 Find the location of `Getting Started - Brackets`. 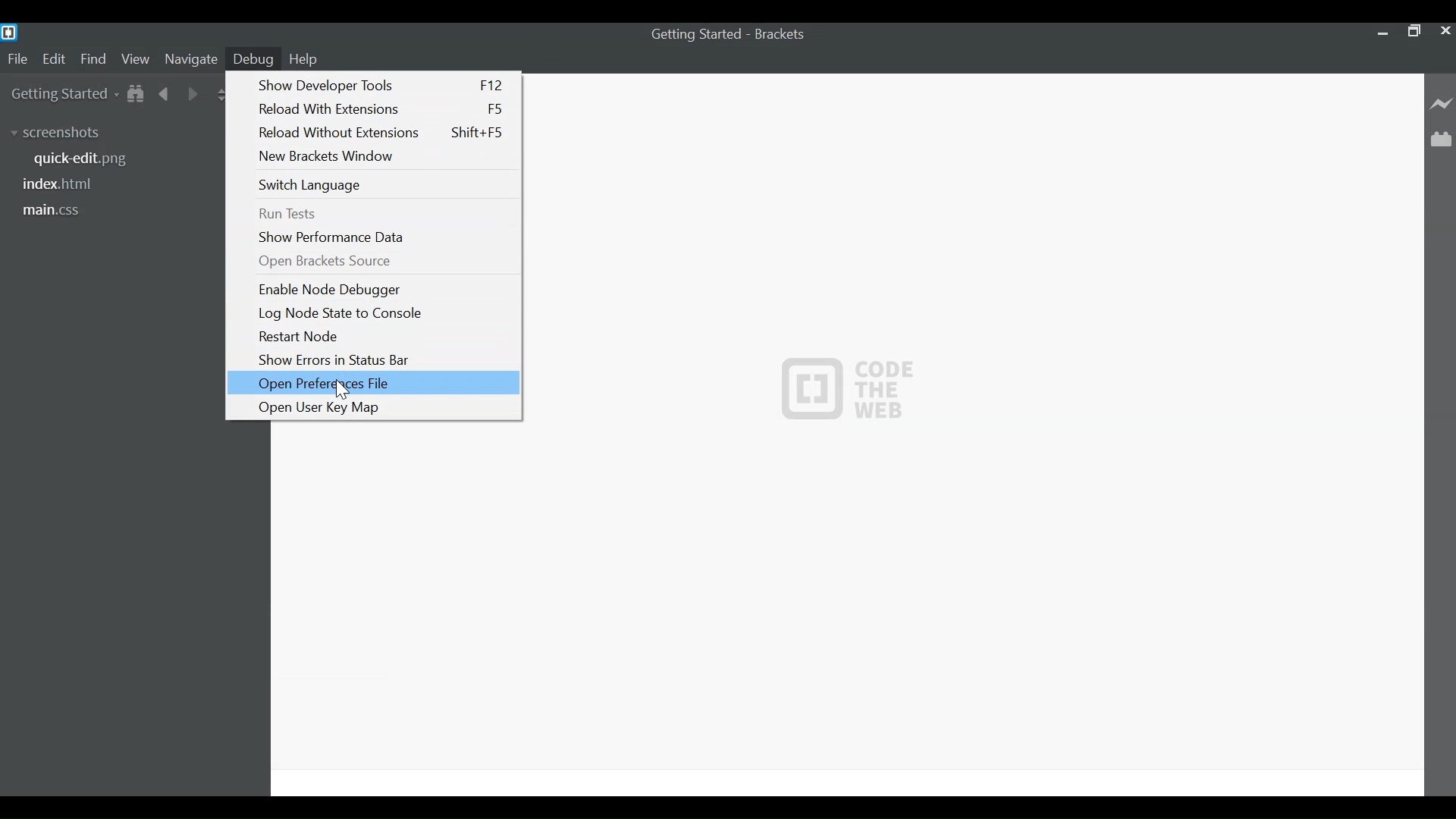

Getting Started - Brackets is located at coordinates (727, 36).